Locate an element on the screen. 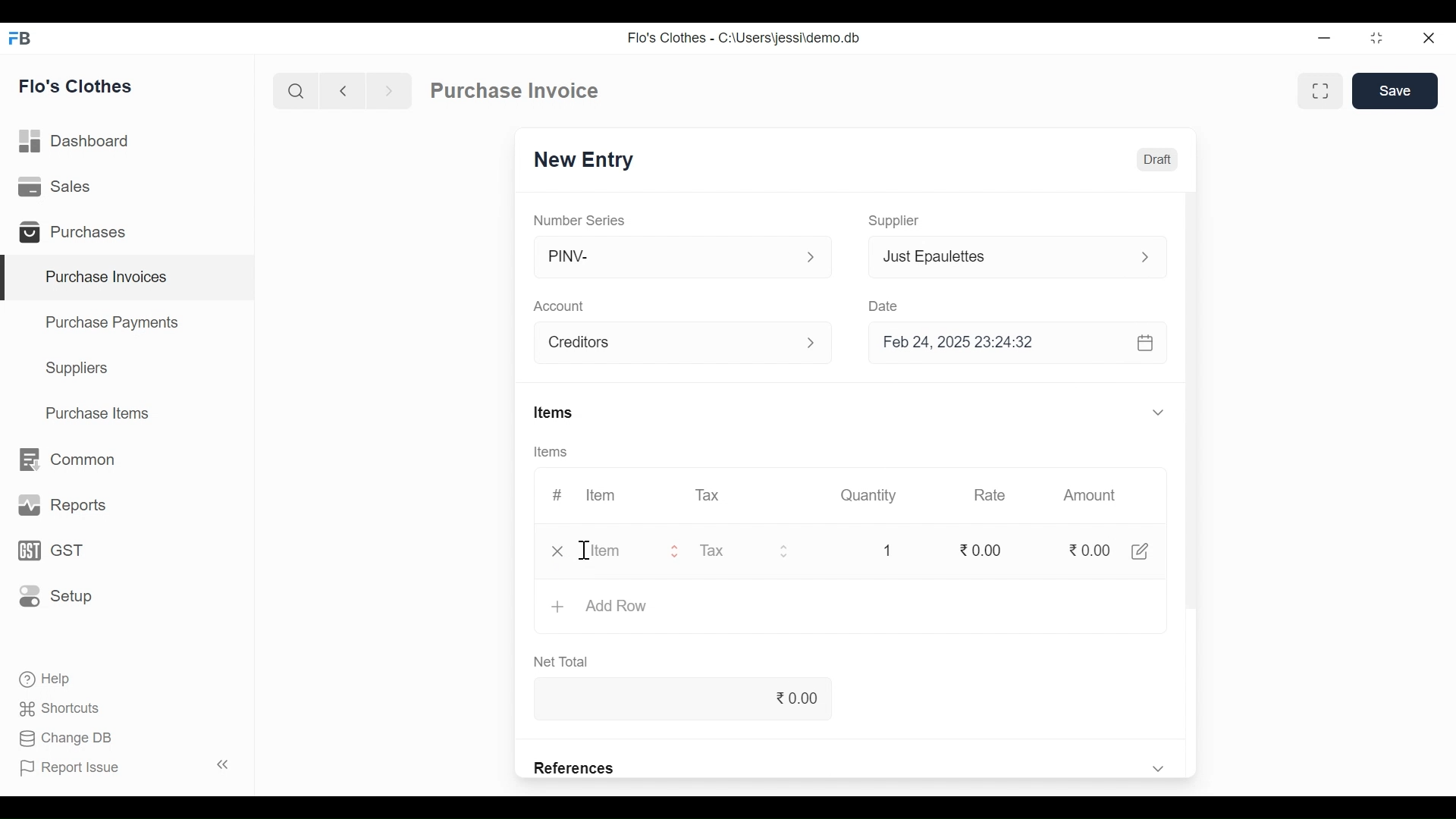 The image size is (1456, 819). Expand is located at coordinates (1160, 412).